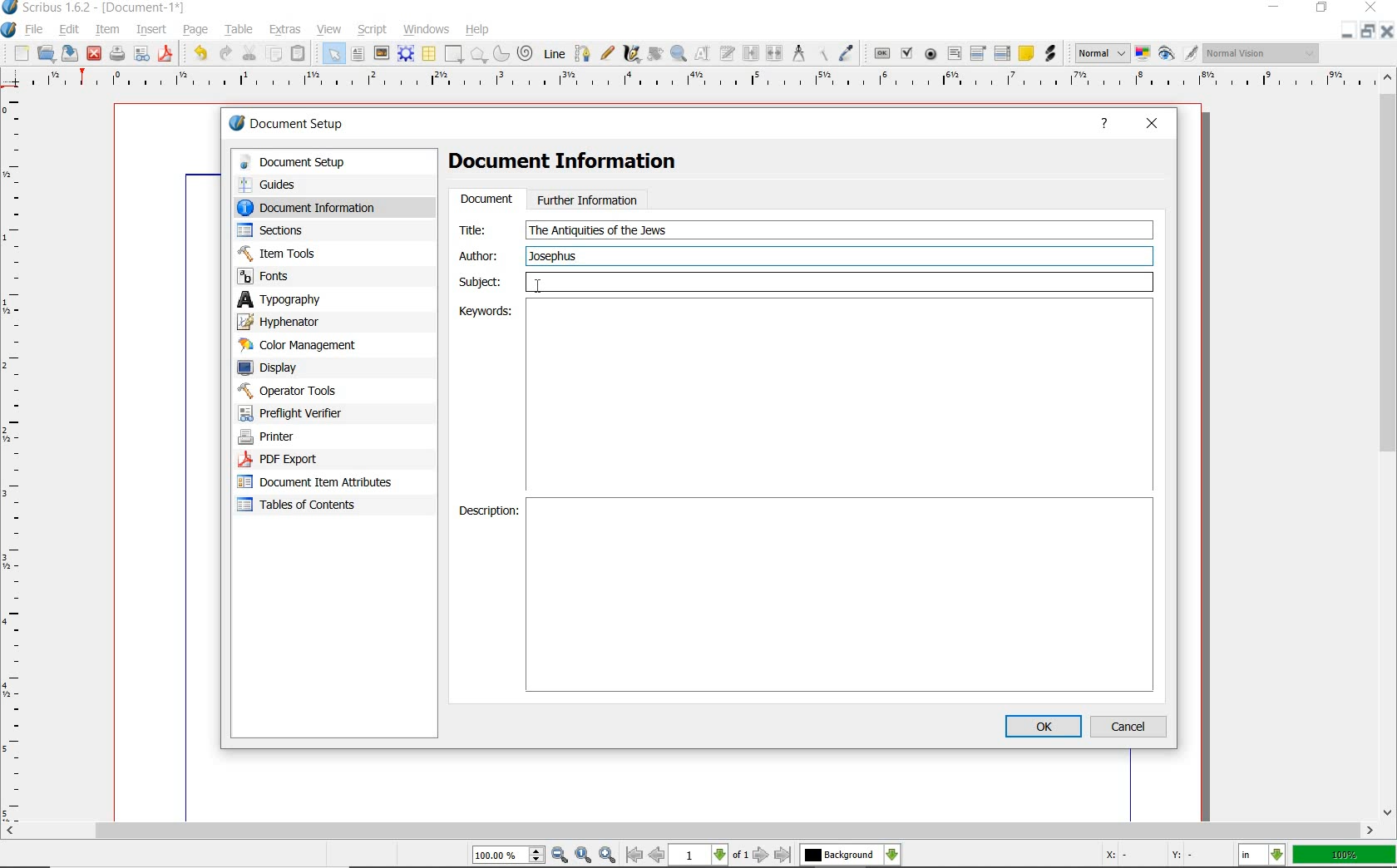 The height and width of the screenshot is (868, 1397). Describe the element at coordinates (17, 456) in the screenshot. I see `ruler` at that location.